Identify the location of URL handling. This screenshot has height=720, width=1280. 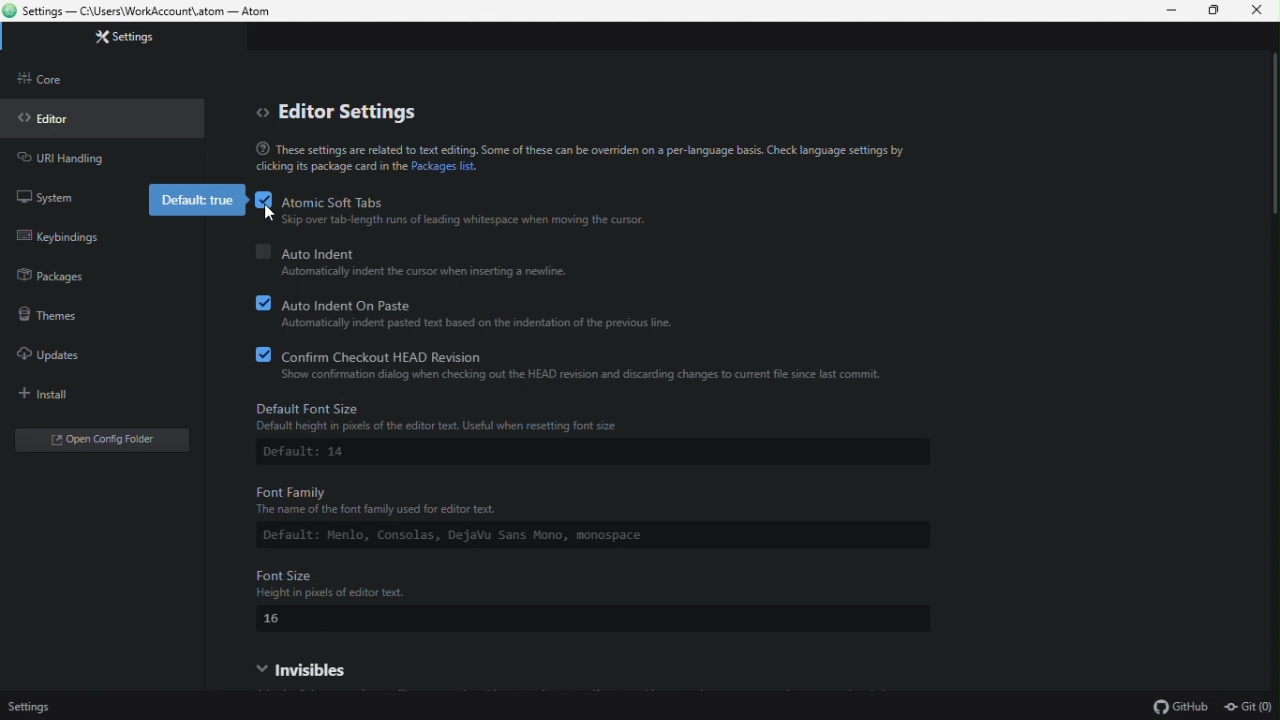
(60, 158).